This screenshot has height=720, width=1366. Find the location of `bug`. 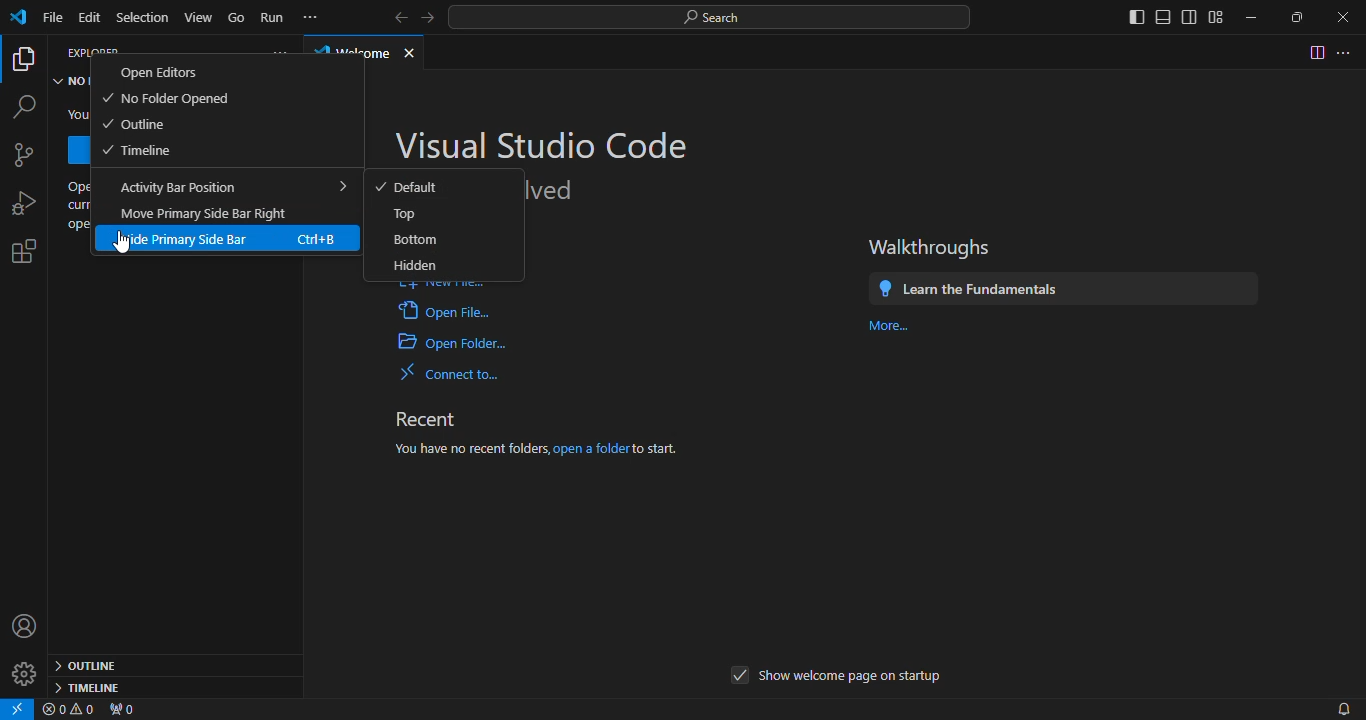

bug is located at coordinates (21, 202).